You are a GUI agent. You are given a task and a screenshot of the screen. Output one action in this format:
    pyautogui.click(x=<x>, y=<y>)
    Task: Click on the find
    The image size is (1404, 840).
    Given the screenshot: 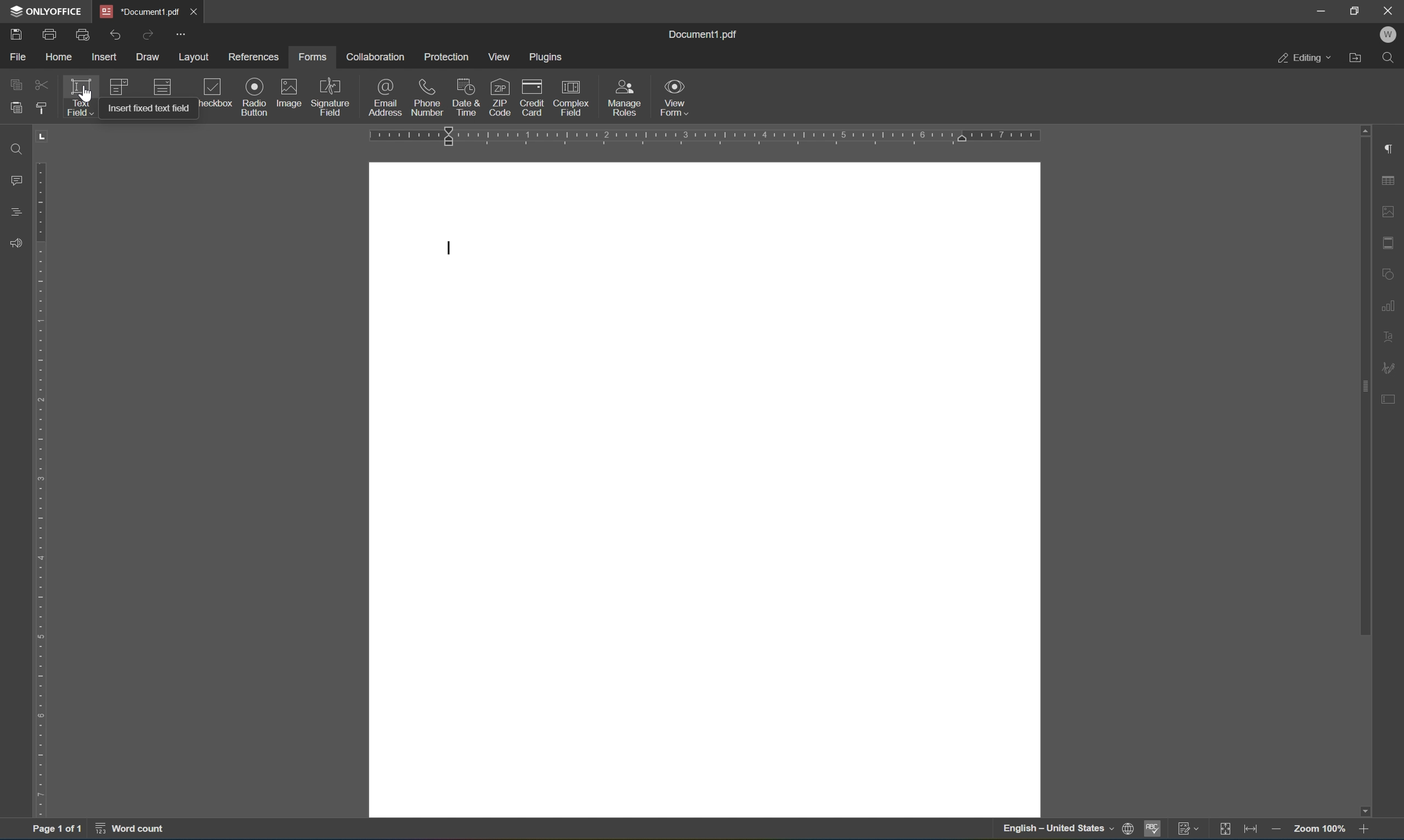 What is the action you would take?
    pyautogui.click(x=1392, y=58)
    